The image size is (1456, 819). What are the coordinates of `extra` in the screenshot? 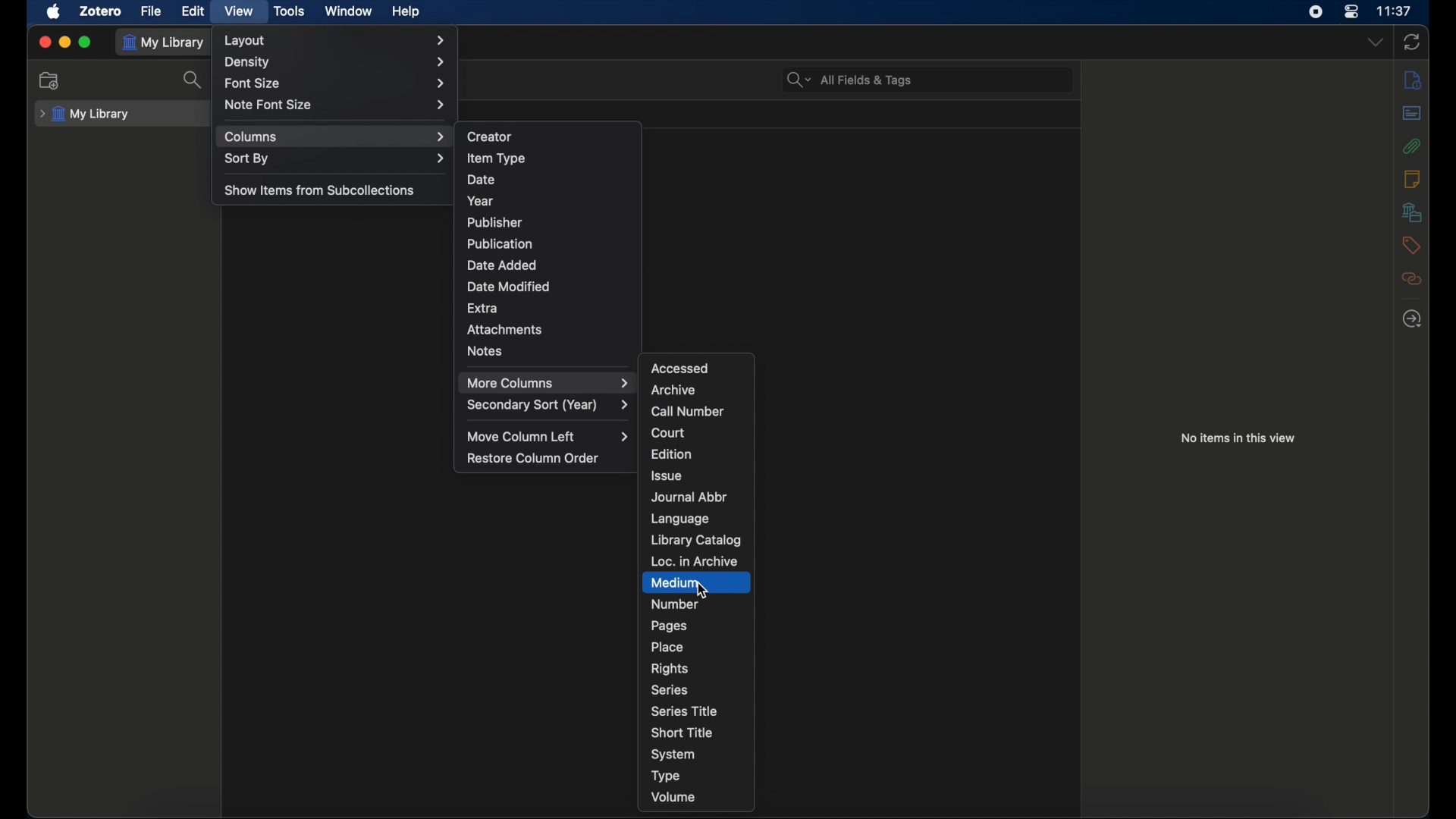 It's located at (483, 307).